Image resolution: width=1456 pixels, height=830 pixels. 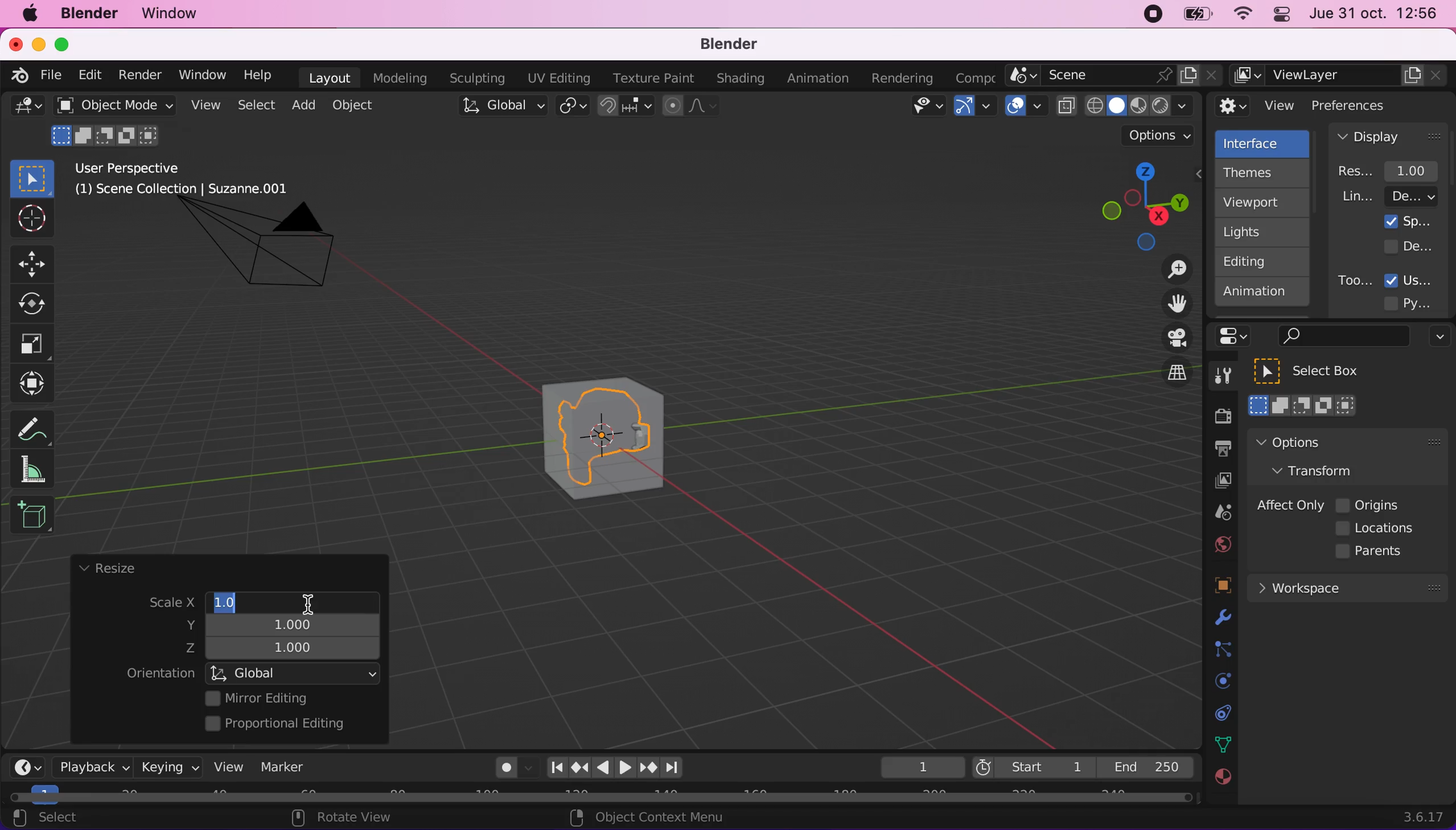 I want to click on animation, so click(x=821, y=79).